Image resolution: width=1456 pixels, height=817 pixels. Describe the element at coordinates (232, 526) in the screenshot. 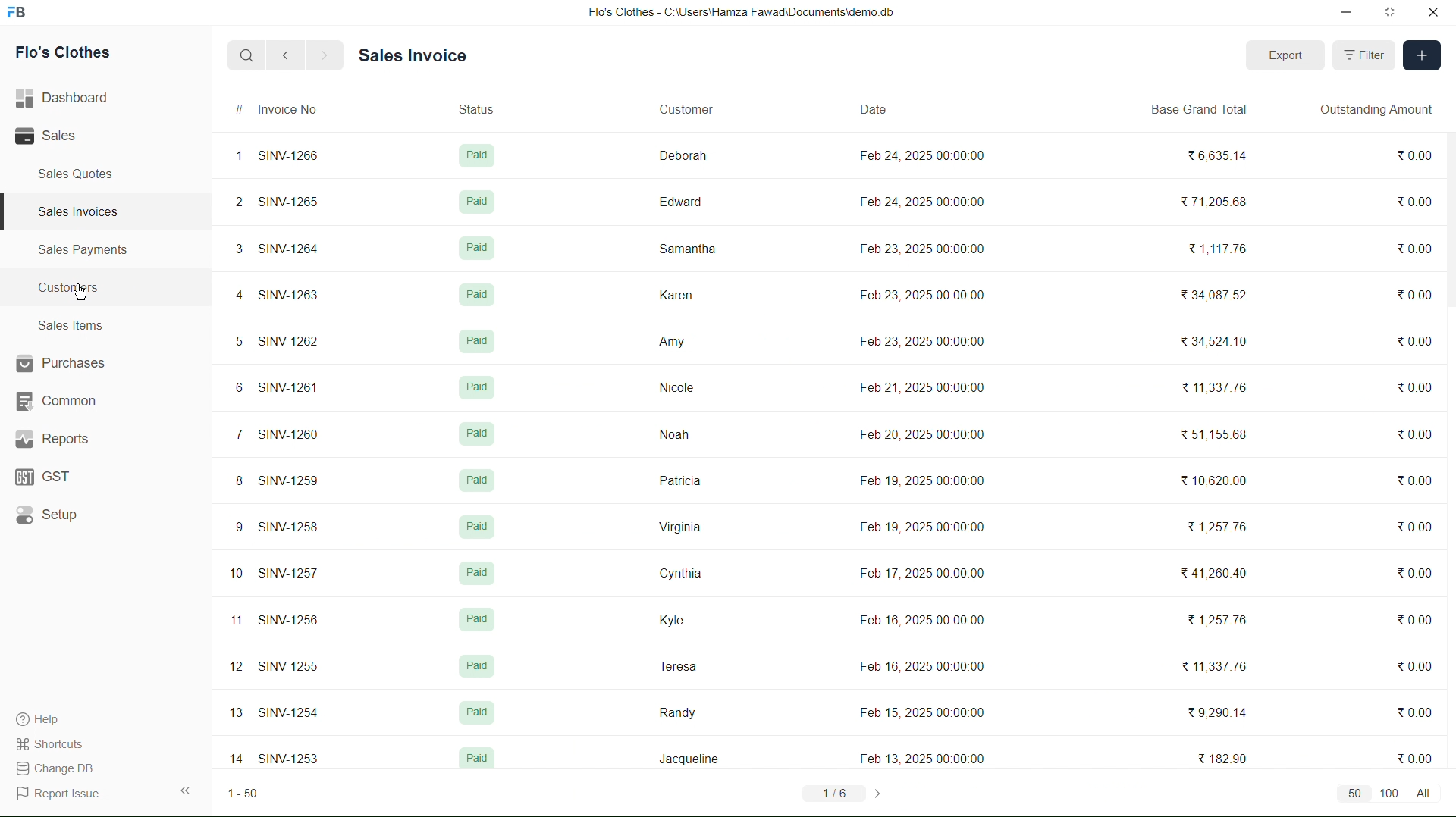

I see `9` at that location.